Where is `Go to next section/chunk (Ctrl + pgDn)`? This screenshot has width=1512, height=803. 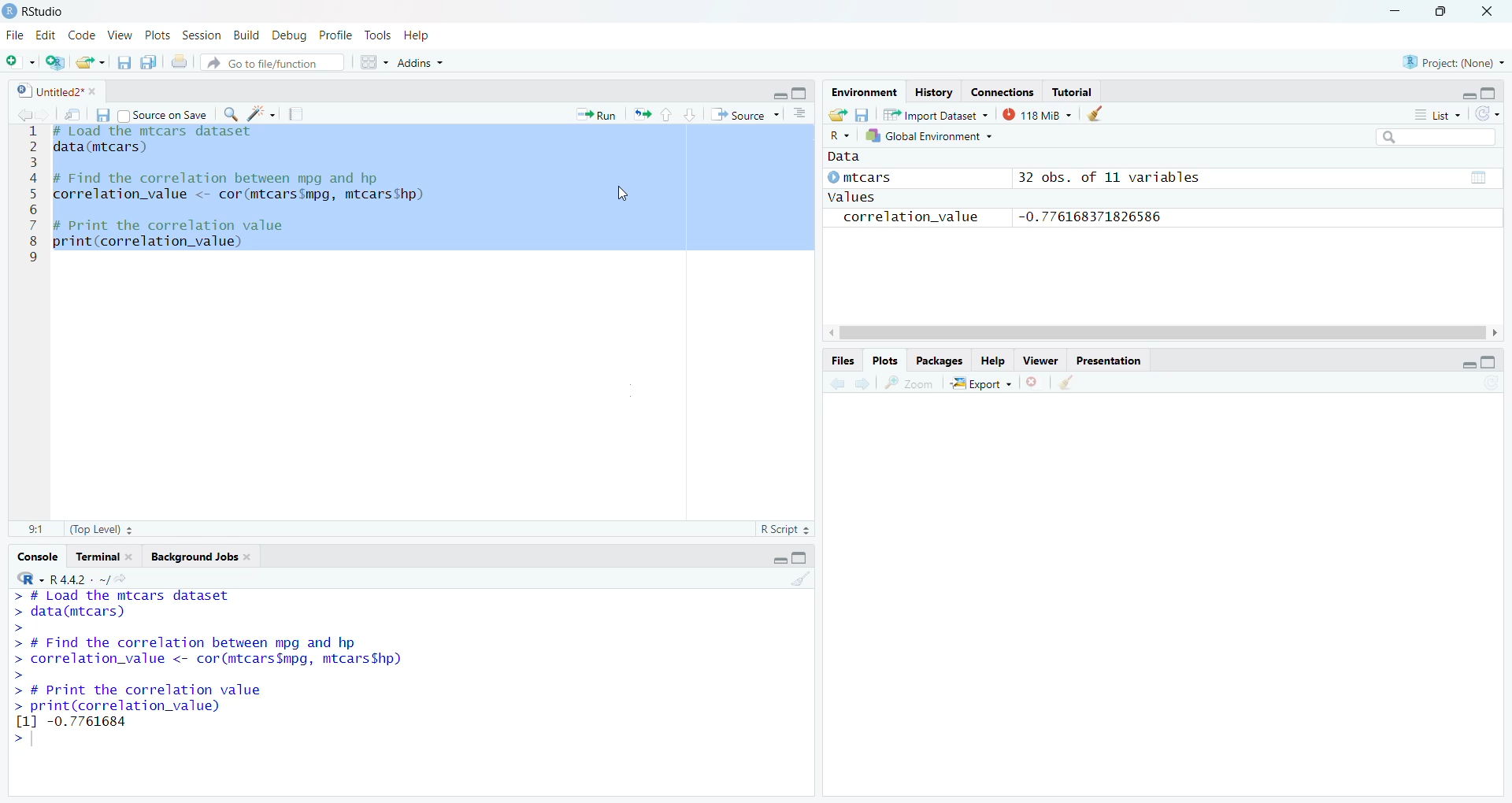
Go to next section/chunk (Ctrl + pgDn) is located at coordinates (691, 113).